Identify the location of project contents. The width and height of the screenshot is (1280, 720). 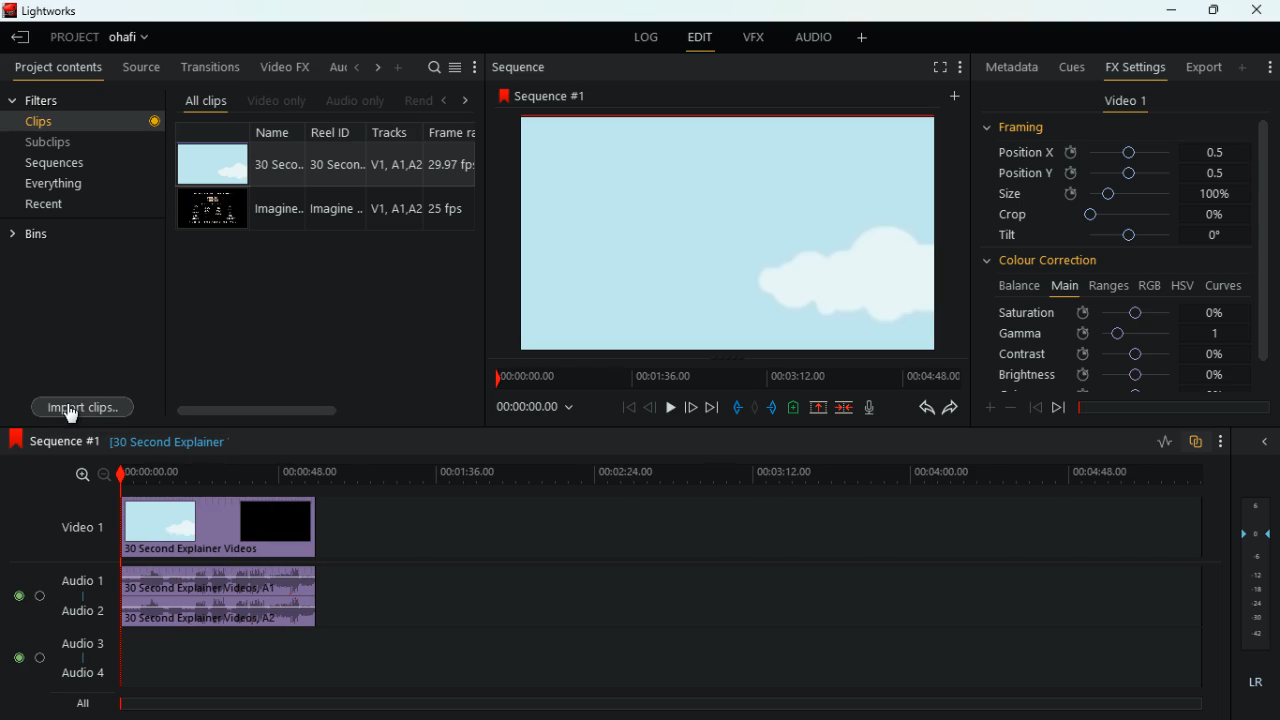
(56, 69).